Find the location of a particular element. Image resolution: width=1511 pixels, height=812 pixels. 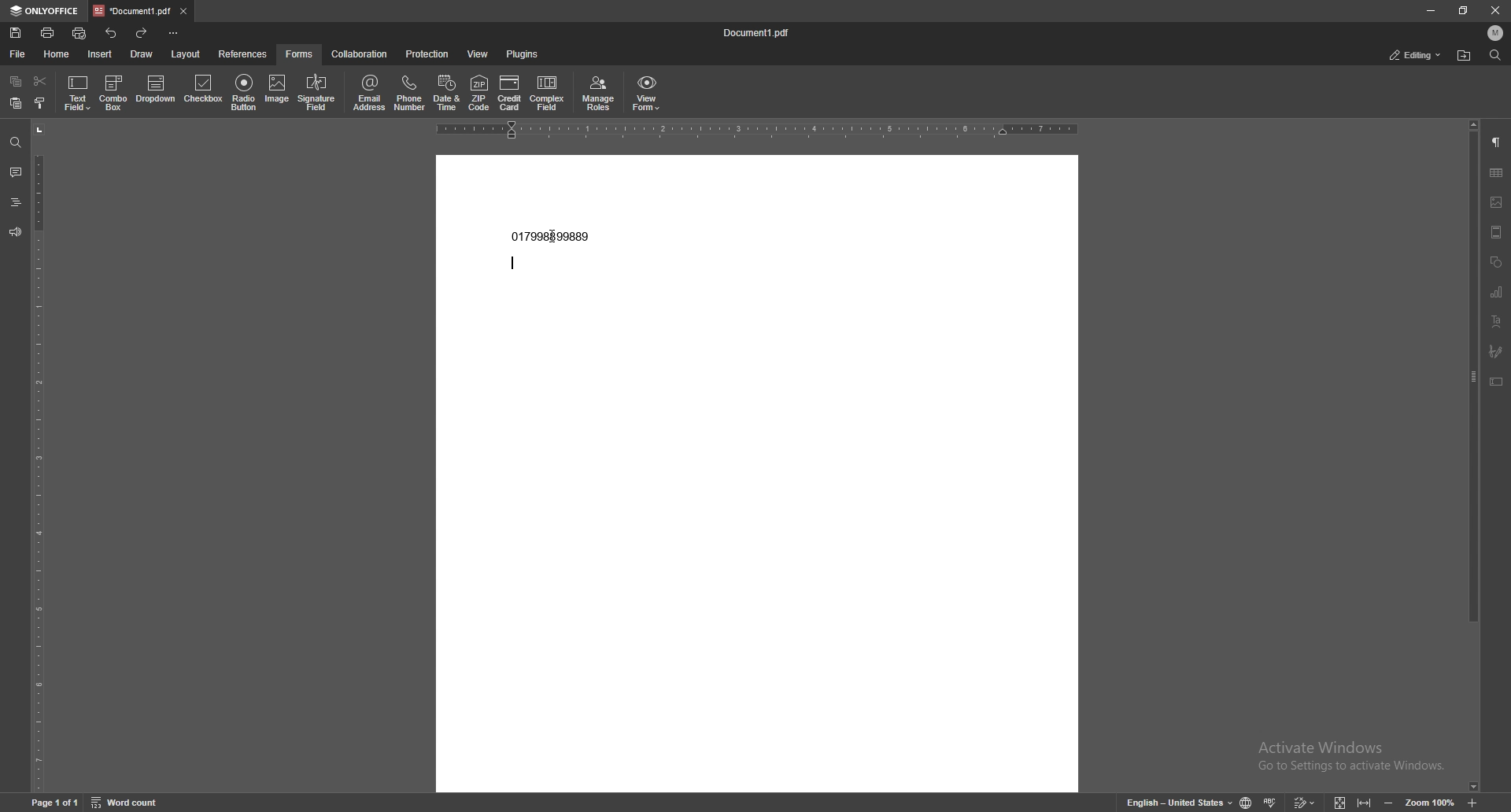

plugins is located at coordinates (524, 54).